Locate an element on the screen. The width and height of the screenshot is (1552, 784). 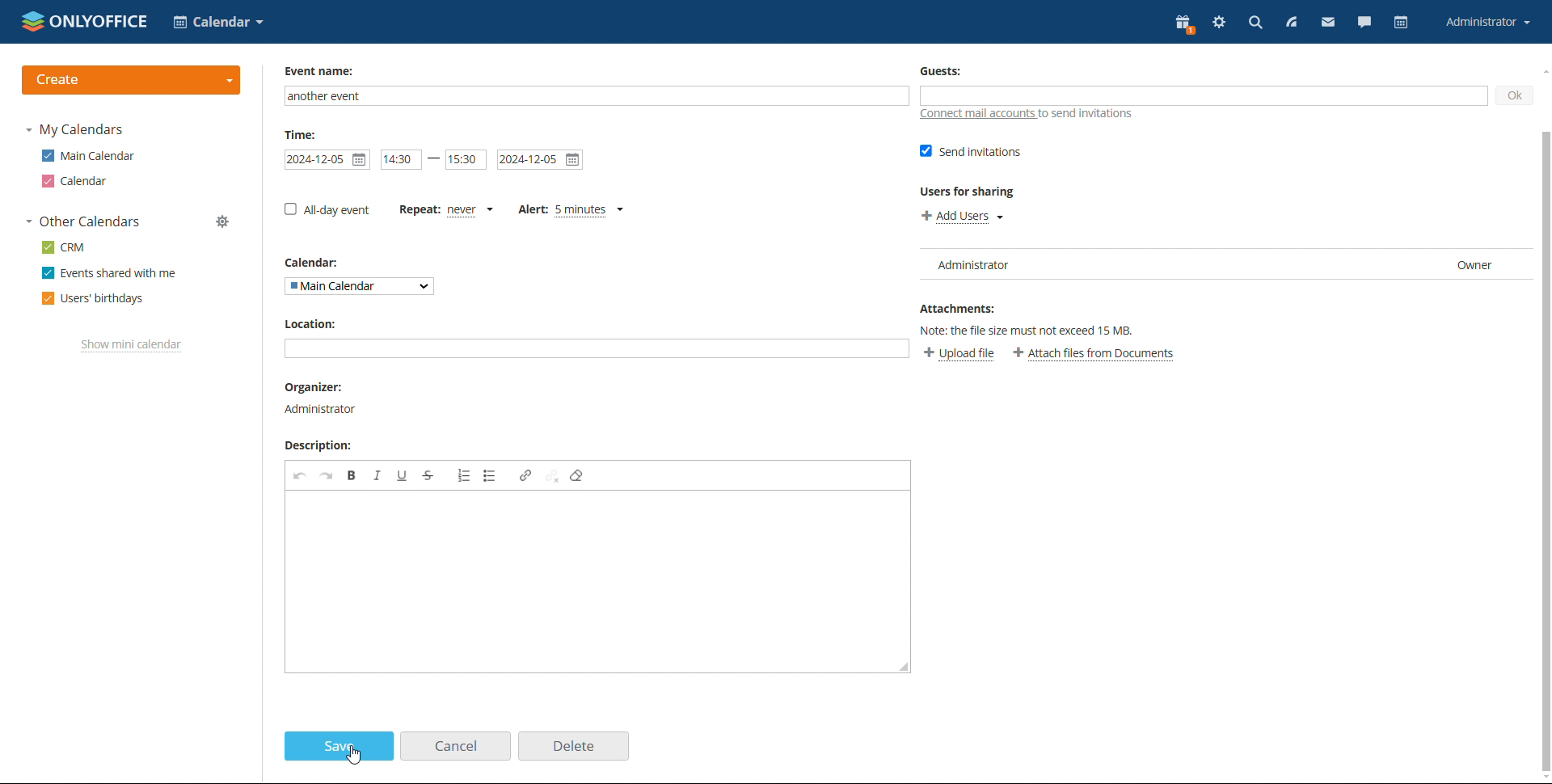
crm is located at coordinates (62, 247).